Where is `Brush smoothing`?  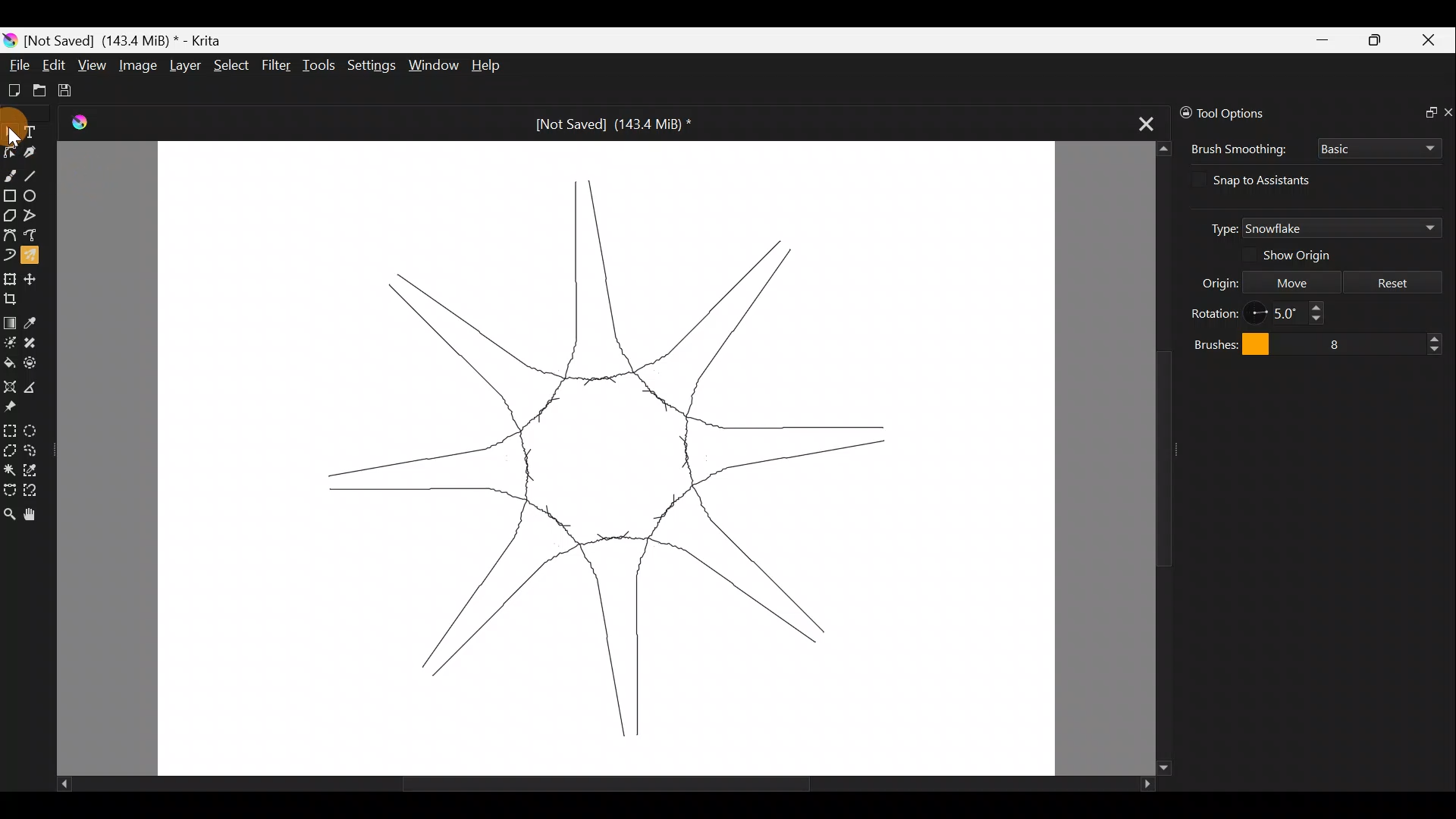 Brush smoothing is located at coordinates (1236, 149).